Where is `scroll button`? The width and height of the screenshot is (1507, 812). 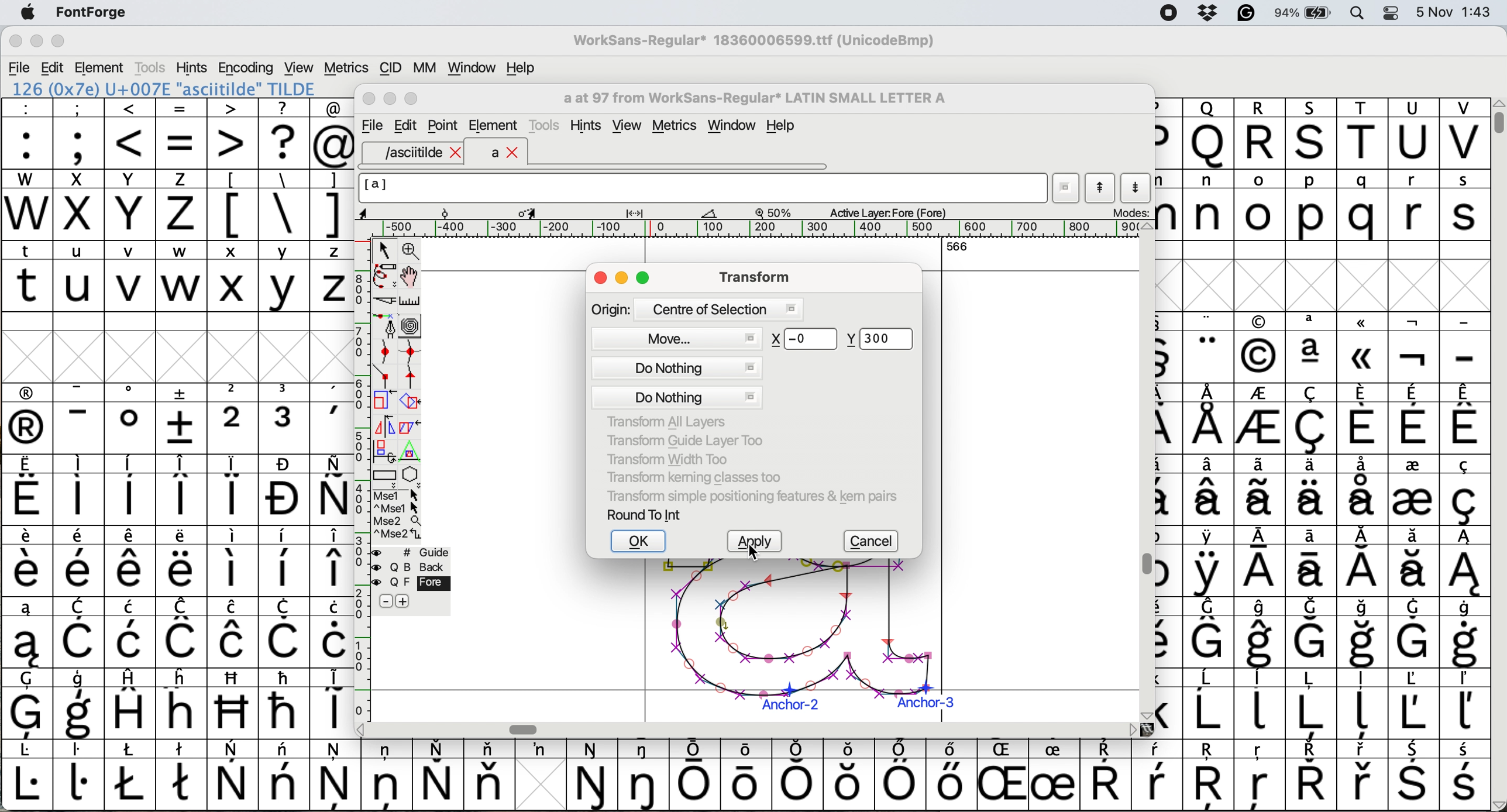
scroll button is located at coordinates (1133, 729).